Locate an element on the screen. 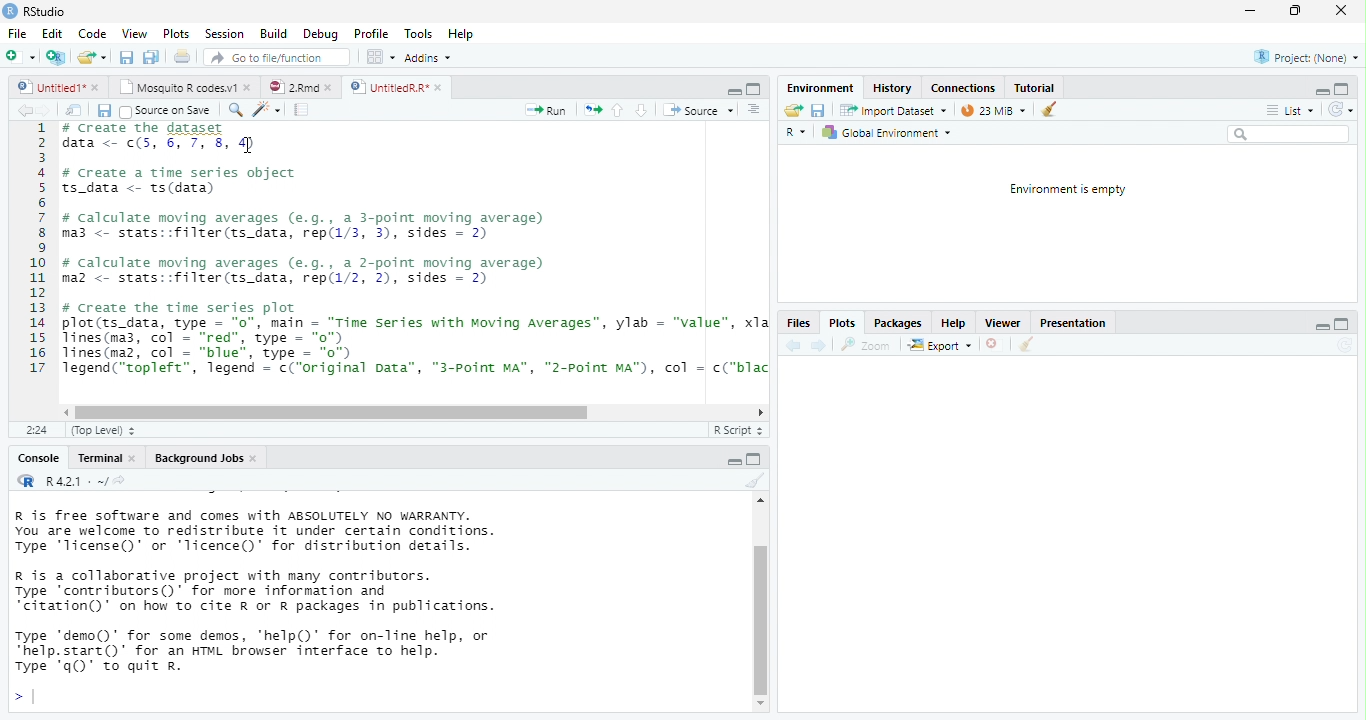 The image size is (1366, 720). wrokspace pan is located at coordinates (379, 57).